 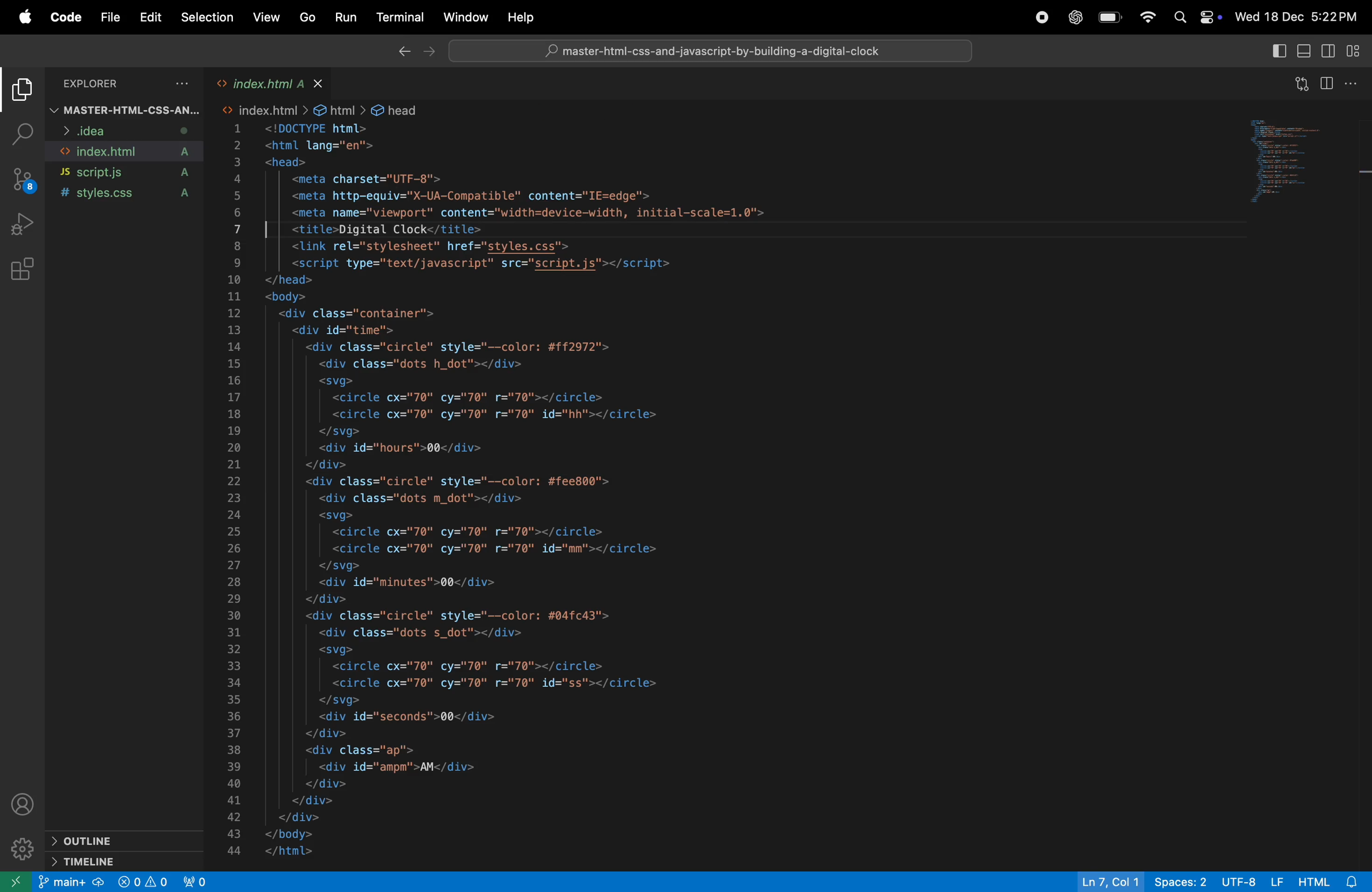 What do you see at coordinates (430, 54) in the screenshot?
I see `forward` at bounding box center [430, 54].